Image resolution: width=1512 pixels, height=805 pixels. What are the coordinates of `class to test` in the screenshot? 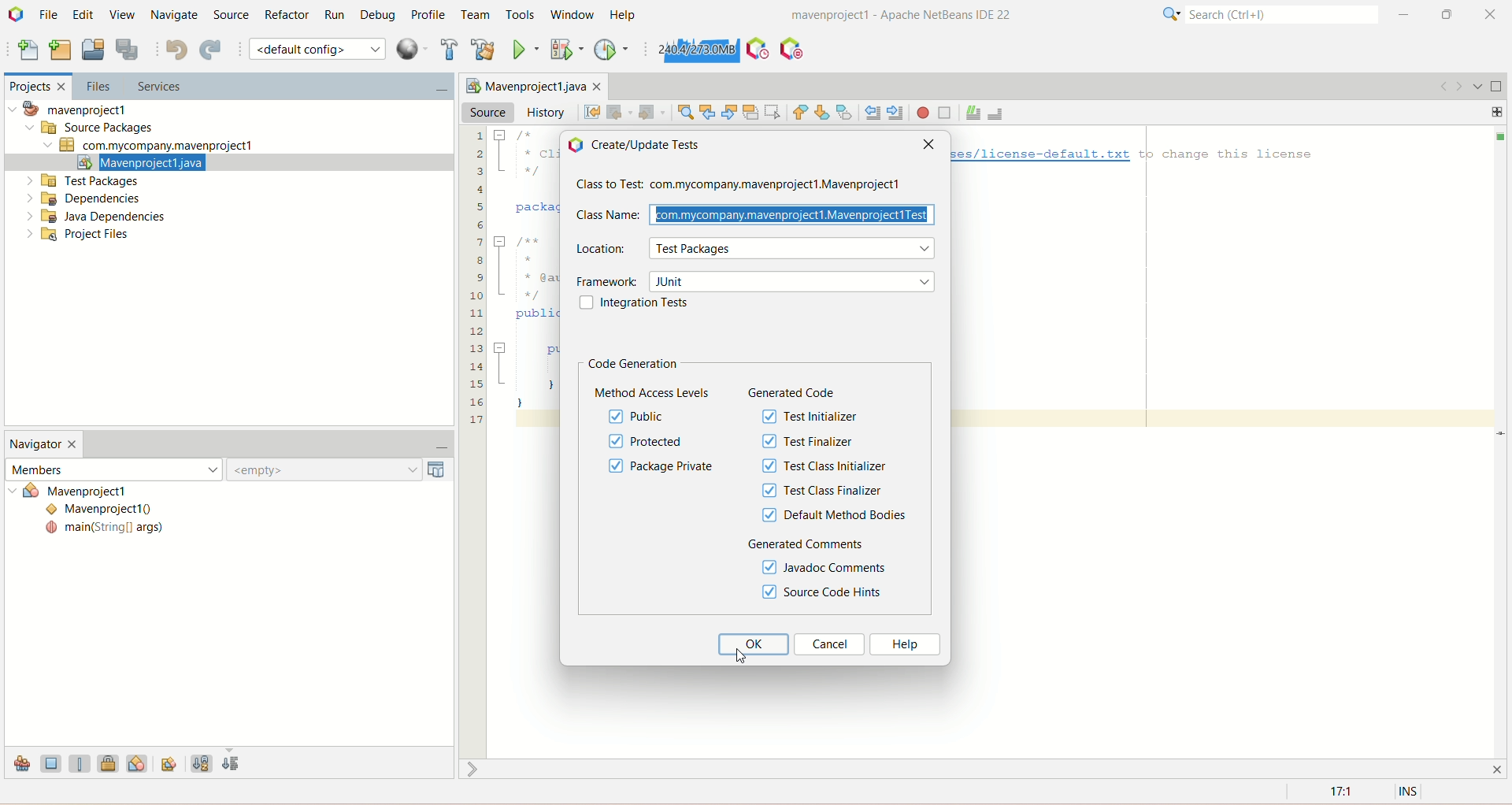 It's located at (739, 181).